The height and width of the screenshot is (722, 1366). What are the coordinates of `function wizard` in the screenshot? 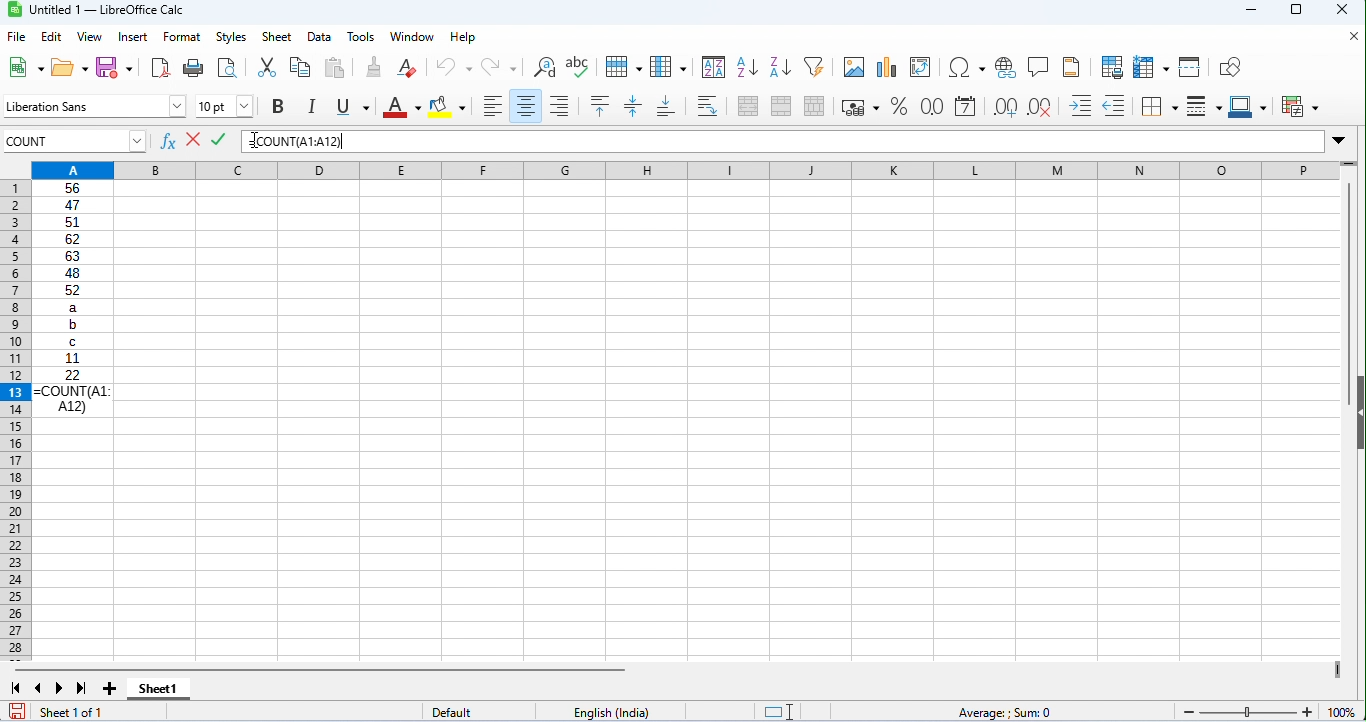 It's located at (168, 141).